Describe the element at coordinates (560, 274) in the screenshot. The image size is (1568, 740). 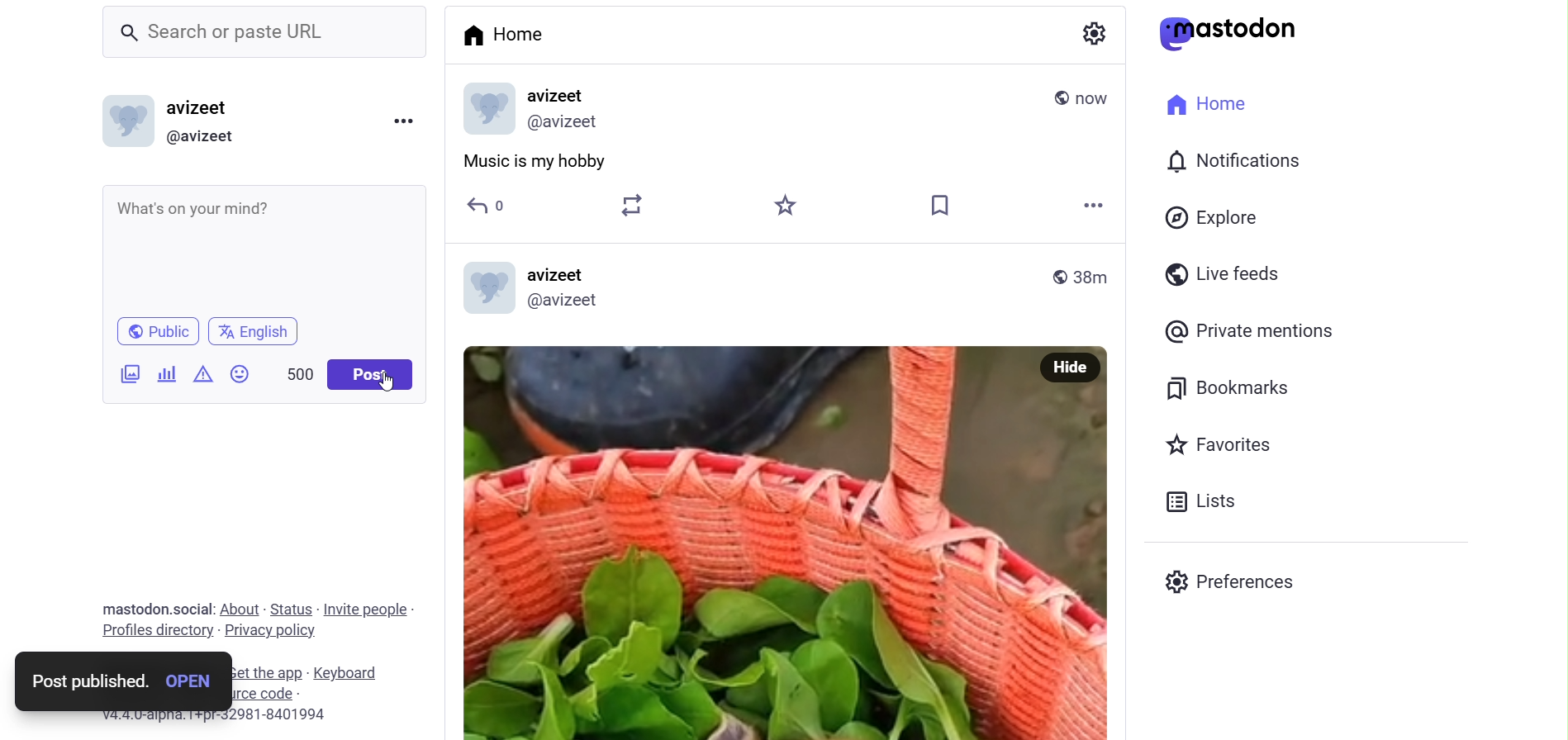
I see `avizeet` at that location.